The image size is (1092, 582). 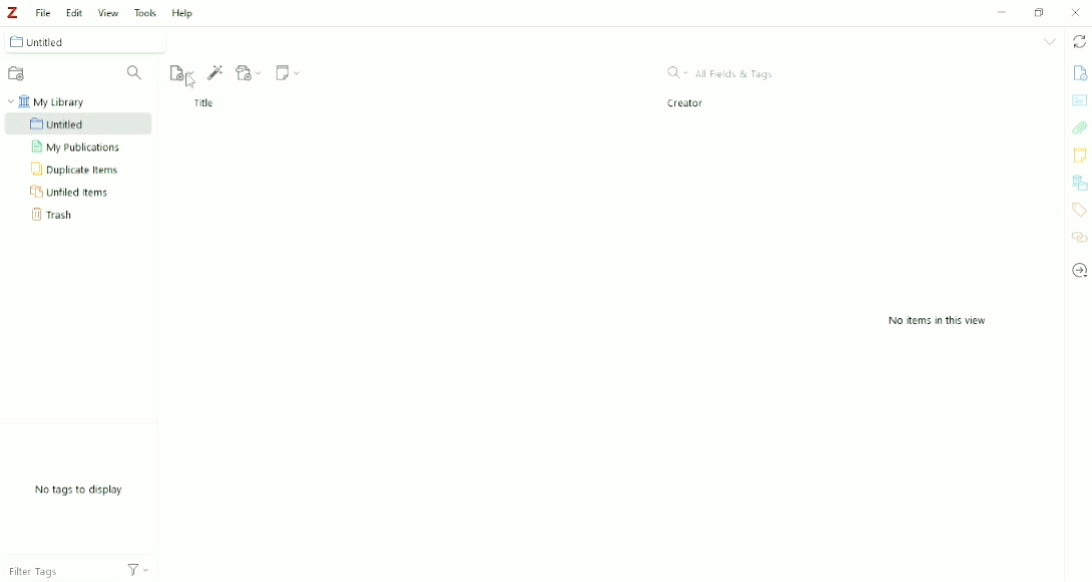 I want to click on Abstract, so click(x=1079, y=100).